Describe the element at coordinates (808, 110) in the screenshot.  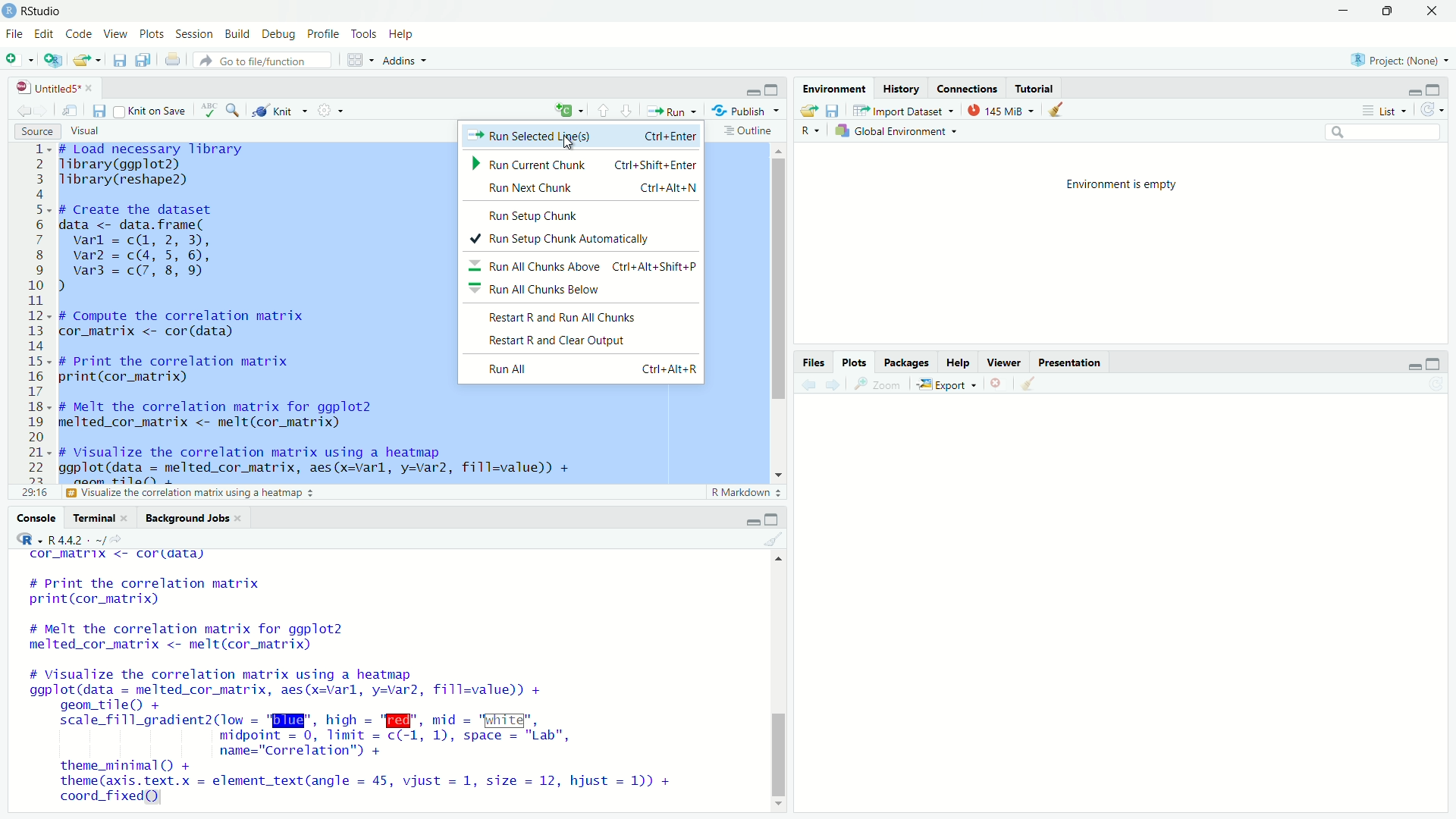
I see `load workspace` at that location.